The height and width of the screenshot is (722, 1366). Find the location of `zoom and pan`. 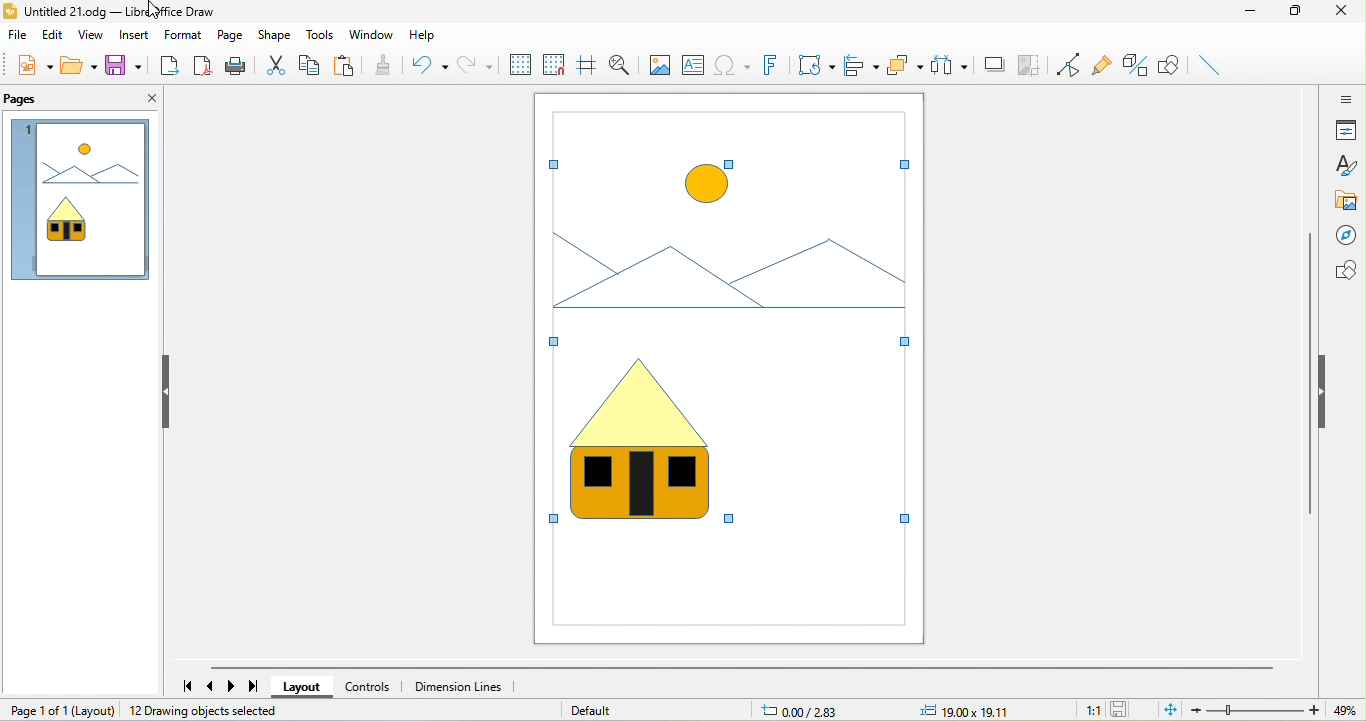

zoom and pan is located at coordinates (620, 63).